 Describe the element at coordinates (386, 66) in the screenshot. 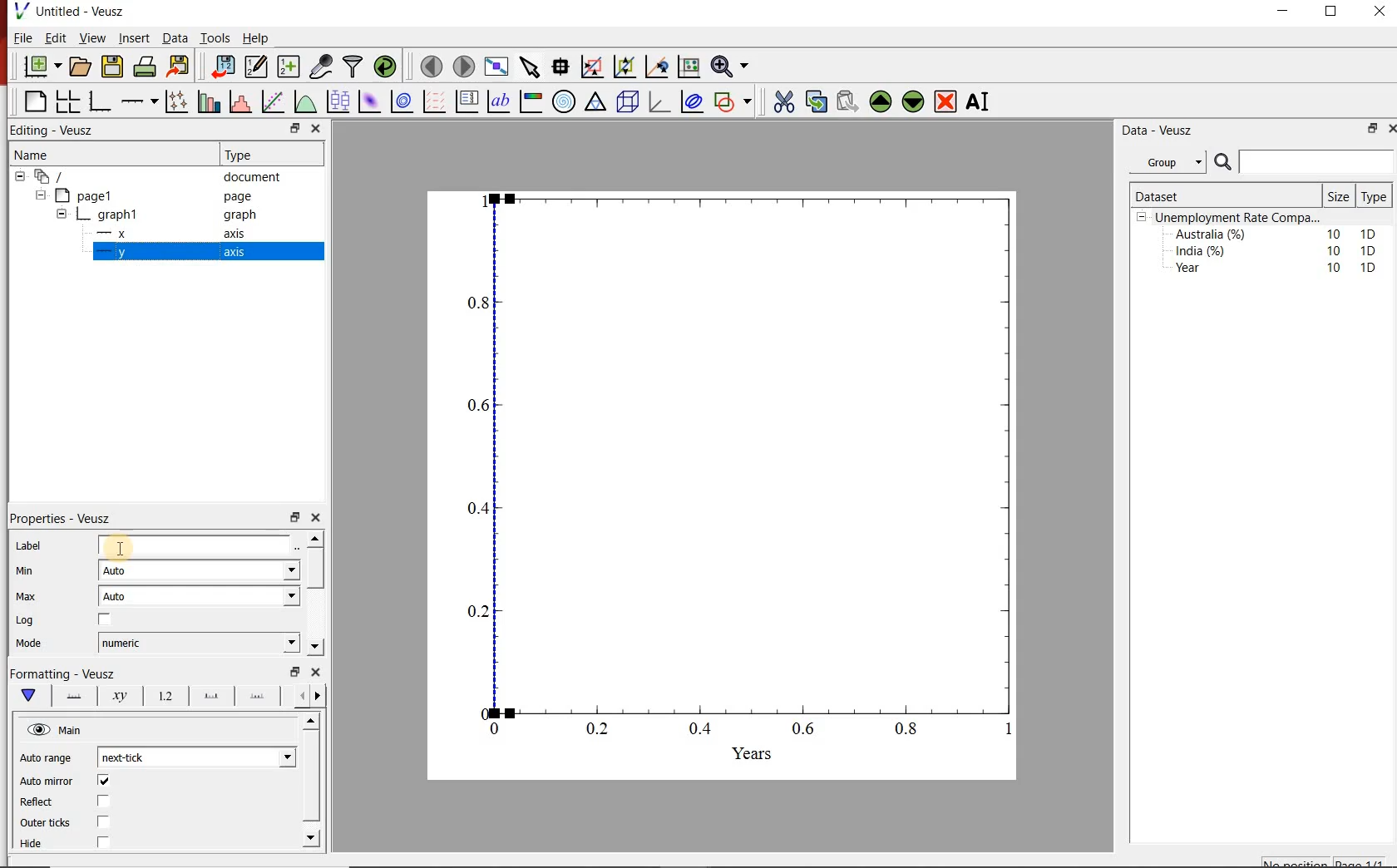

I see `reload datasets` at that location.